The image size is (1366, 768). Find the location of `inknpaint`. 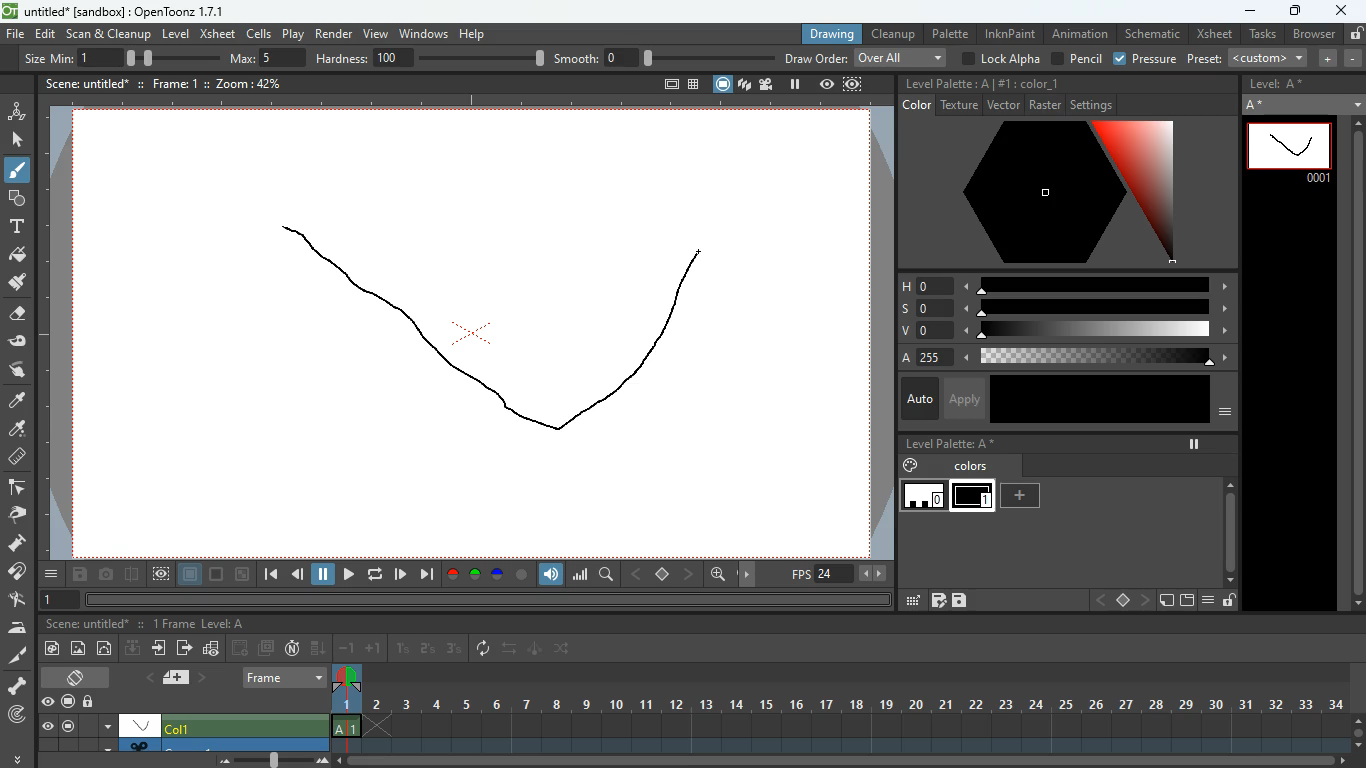

inknpaint is located at coordinates (1010, 33).